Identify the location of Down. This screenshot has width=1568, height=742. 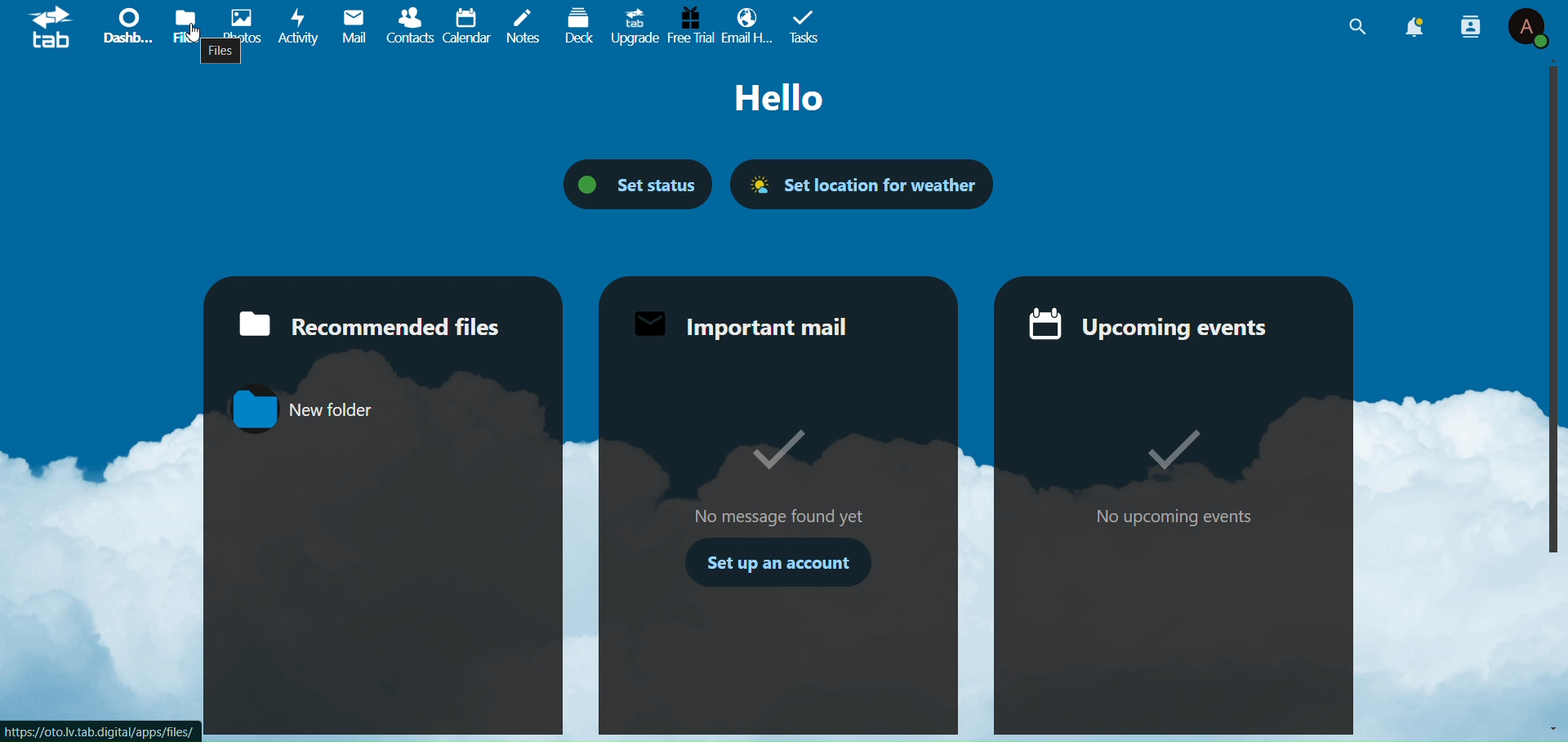
(1548, 727).